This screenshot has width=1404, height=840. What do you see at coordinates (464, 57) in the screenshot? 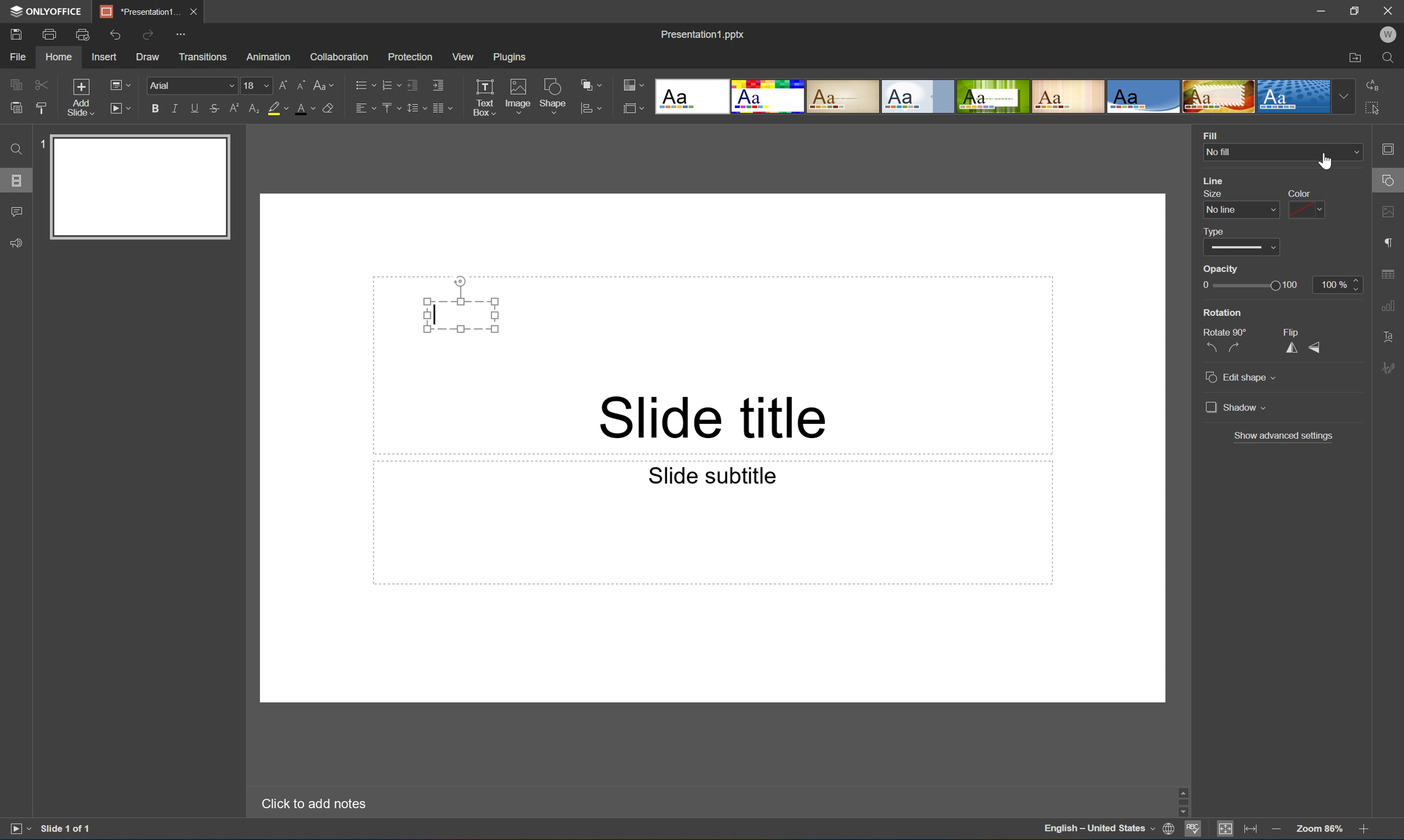
I see `View` at bounding box center [464, 57].